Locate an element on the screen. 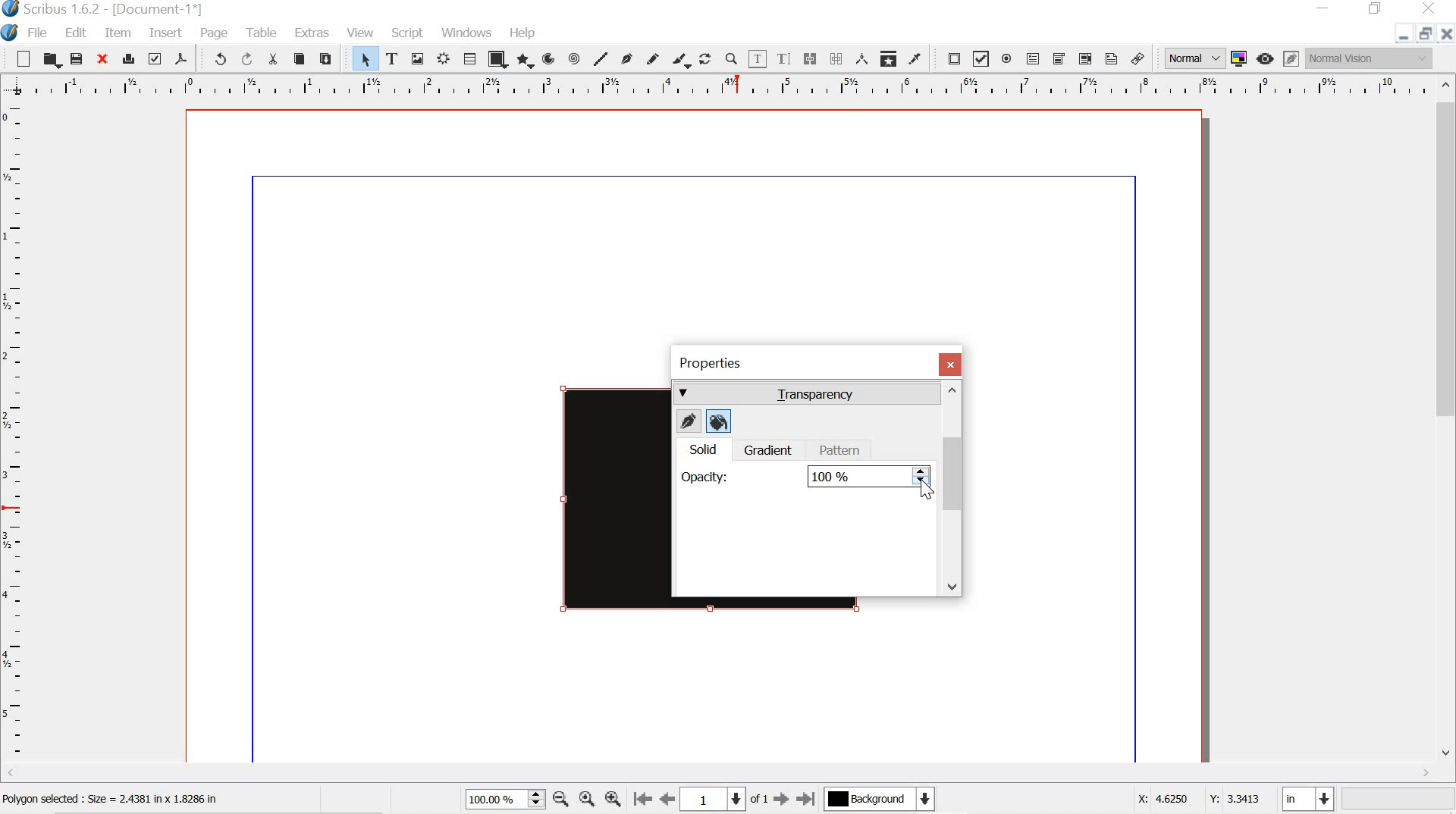  print is located at coordinates (127, 58).